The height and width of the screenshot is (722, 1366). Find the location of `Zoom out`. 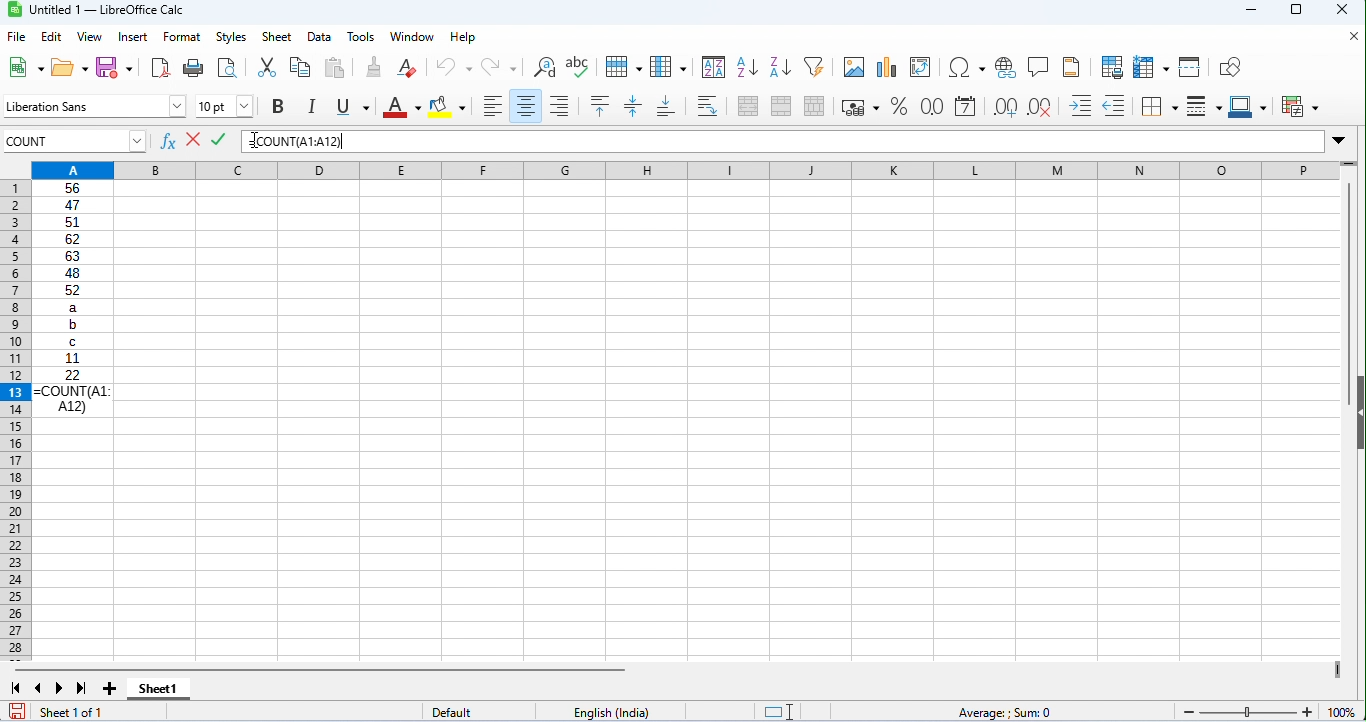

Zoom out is located at coordinates (1189, 713).